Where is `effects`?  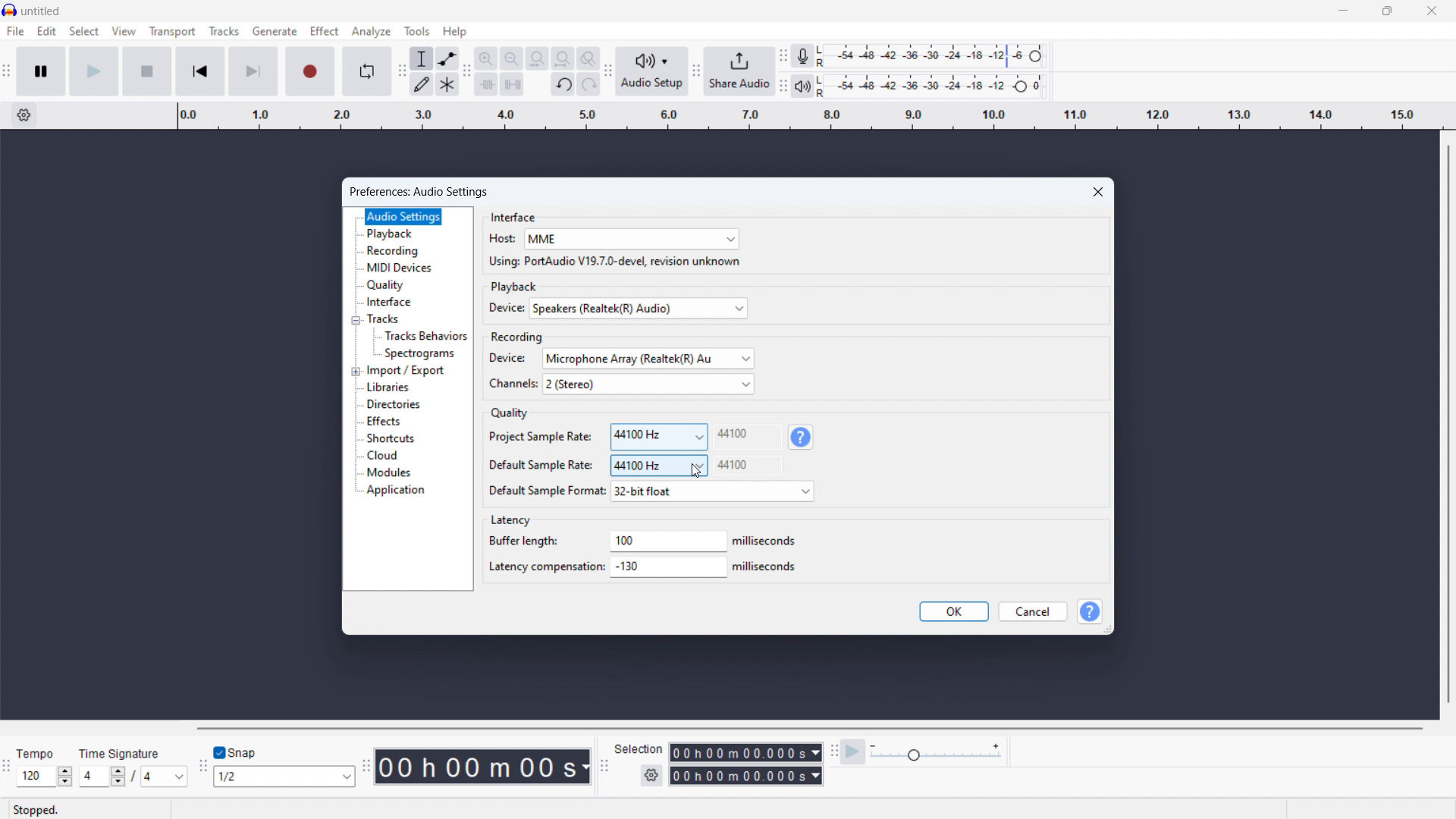
effects is located at coordinates (383, 422).